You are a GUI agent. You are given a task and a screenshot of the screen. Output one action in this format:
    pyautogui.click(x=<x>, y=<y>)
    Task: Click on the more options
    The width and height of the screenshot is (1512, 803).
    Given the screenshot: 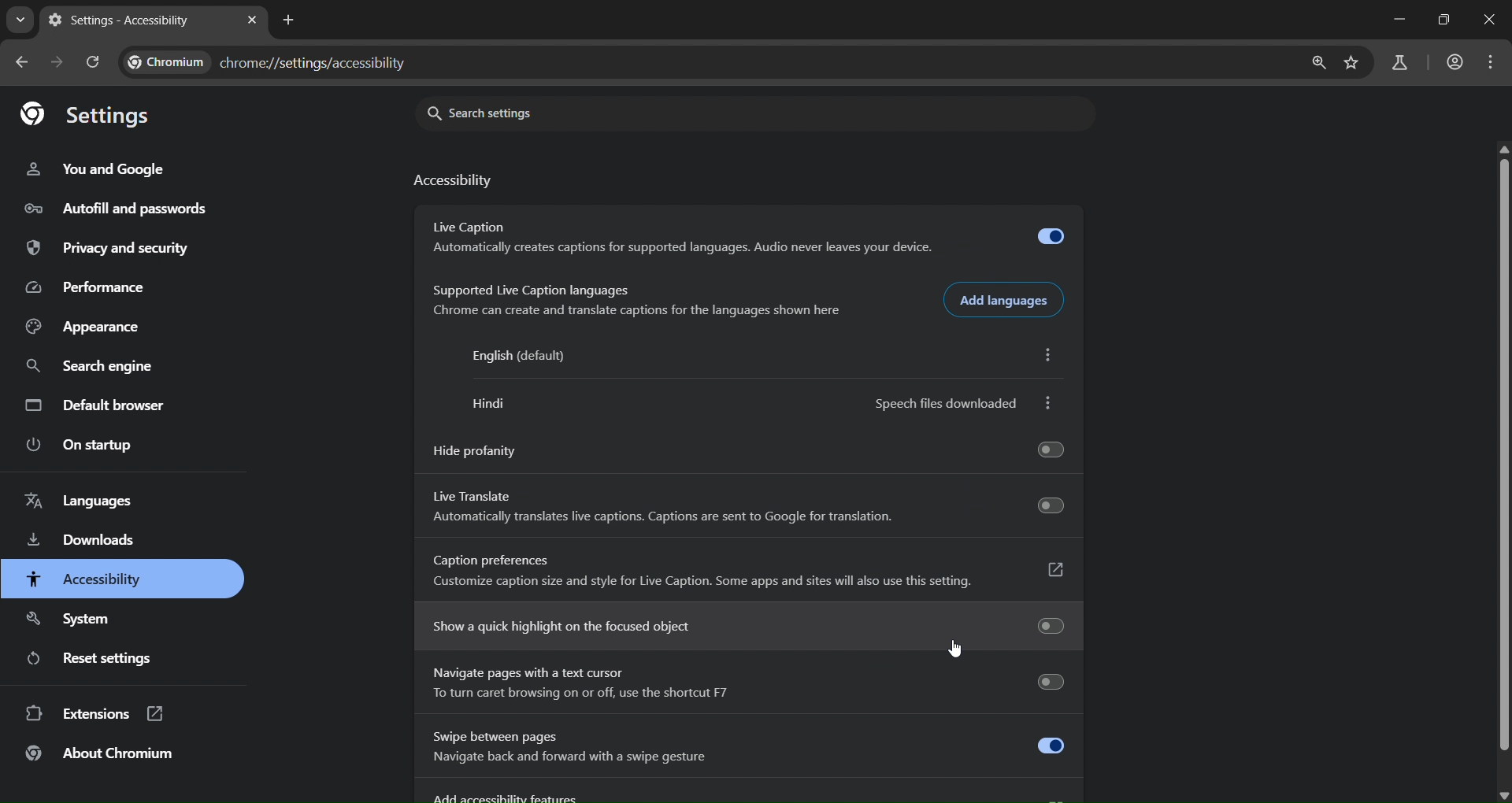 What is the action you would take?
    pyautogui.click(x=1051, y=356)
    